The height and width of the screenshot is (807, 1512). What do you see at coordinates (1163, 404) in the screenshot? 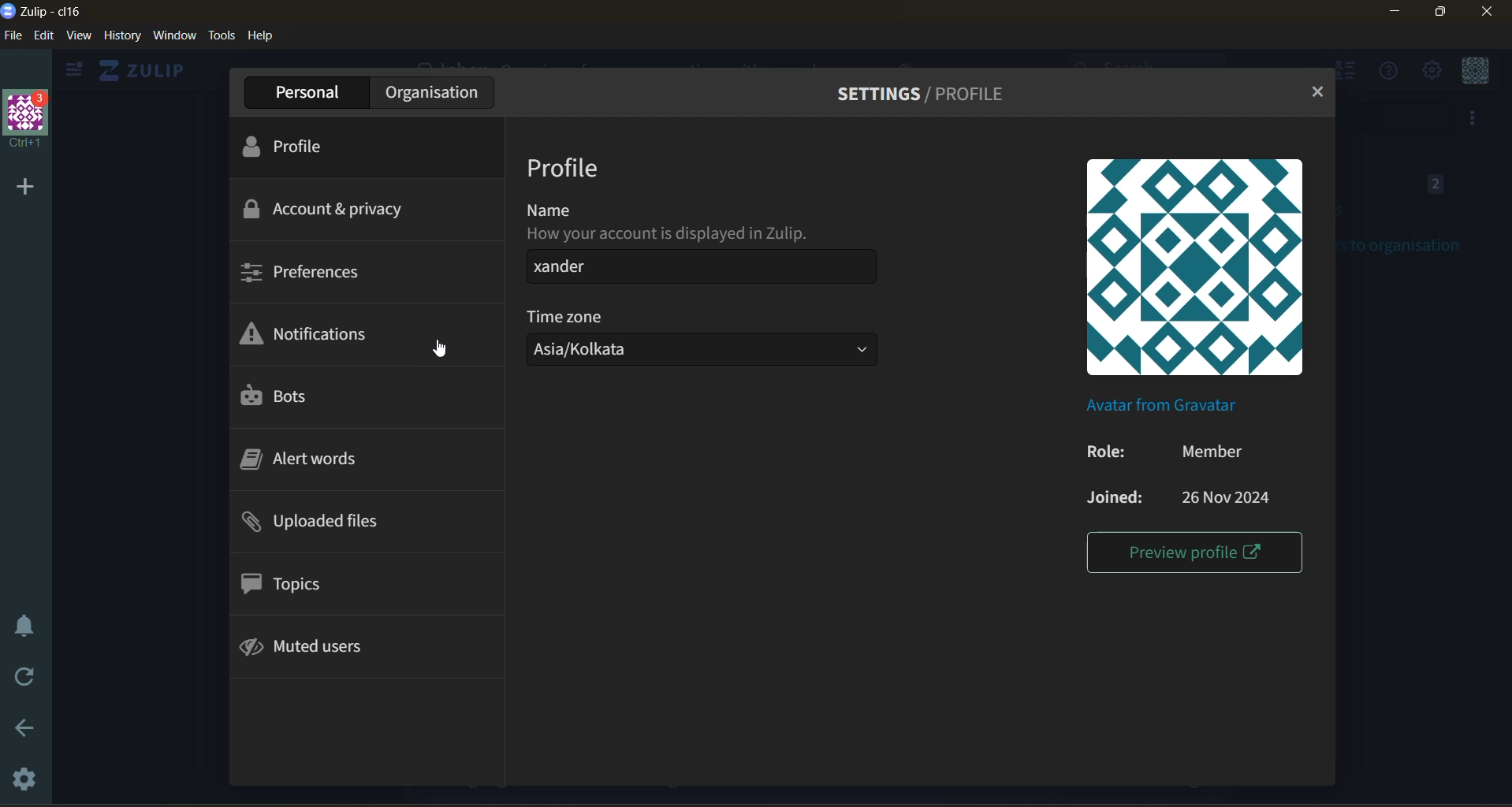
I see `avatar from gravatar` at bounding box center [1163, 404].